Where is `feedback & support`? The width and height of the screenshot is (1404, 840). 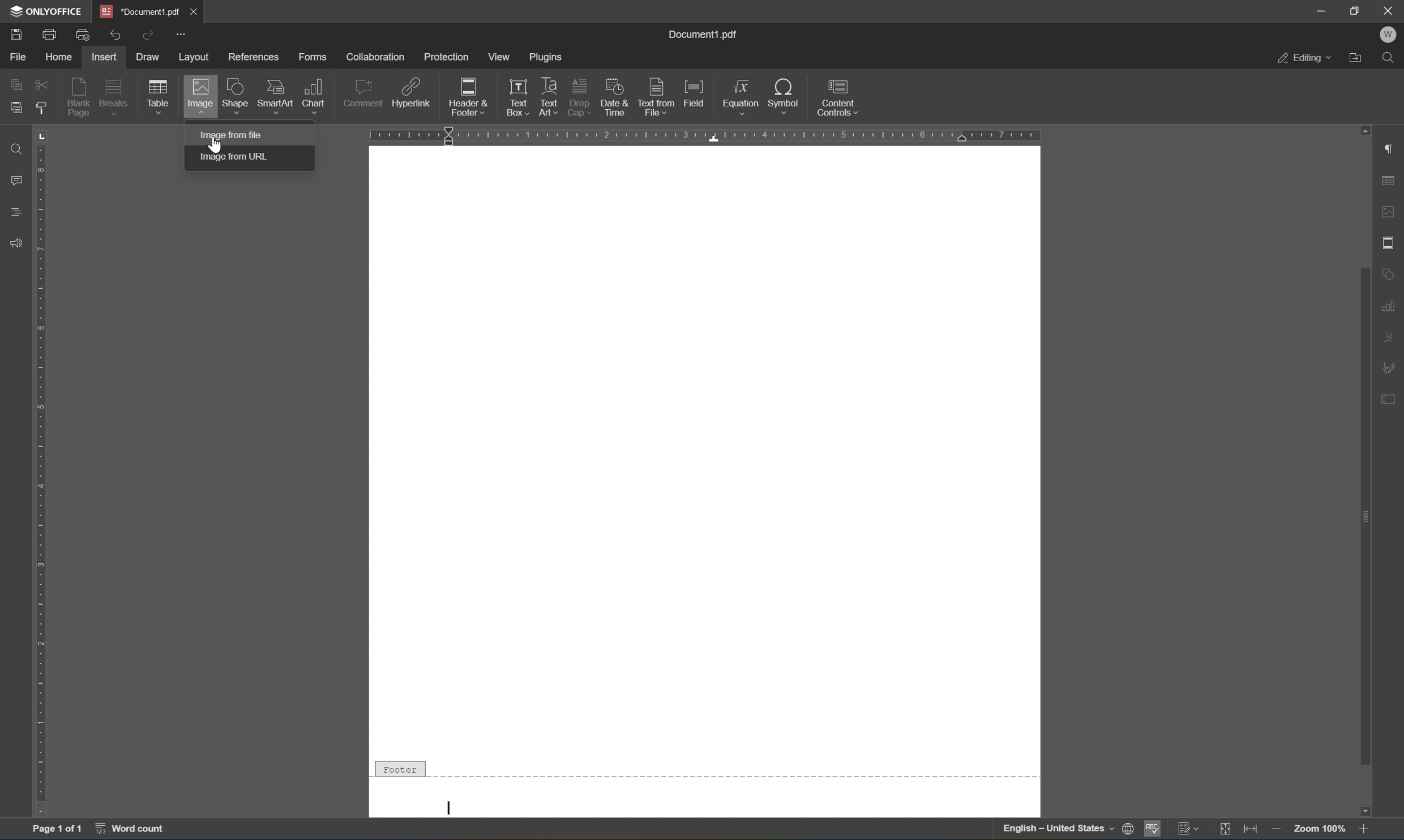 feedback & support is located at coordinates (17, 241).